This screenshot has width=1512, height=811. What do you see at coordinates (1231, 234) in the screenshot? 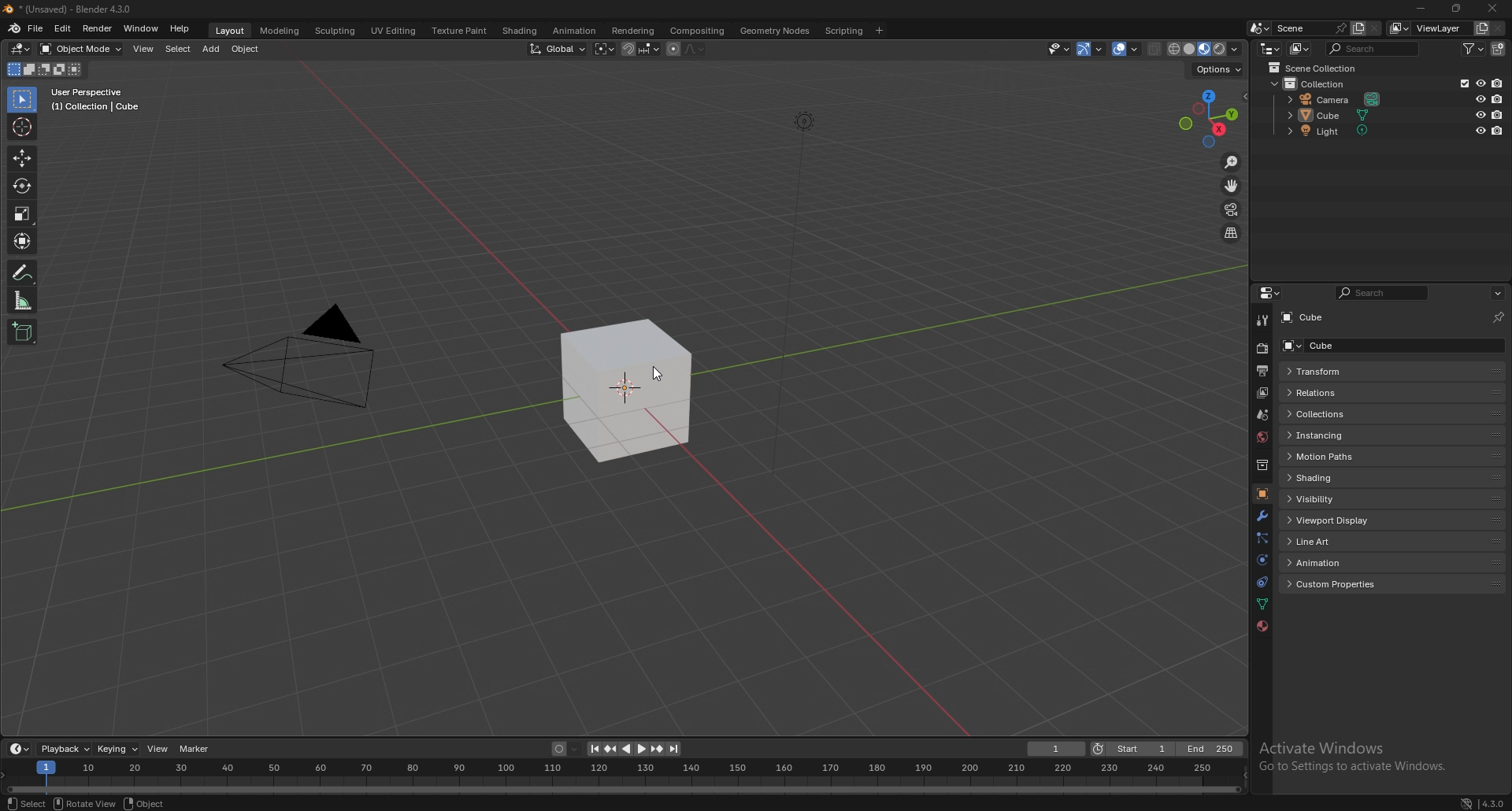
I see `perspective/orthographic` at bounding box center [1231, 234].